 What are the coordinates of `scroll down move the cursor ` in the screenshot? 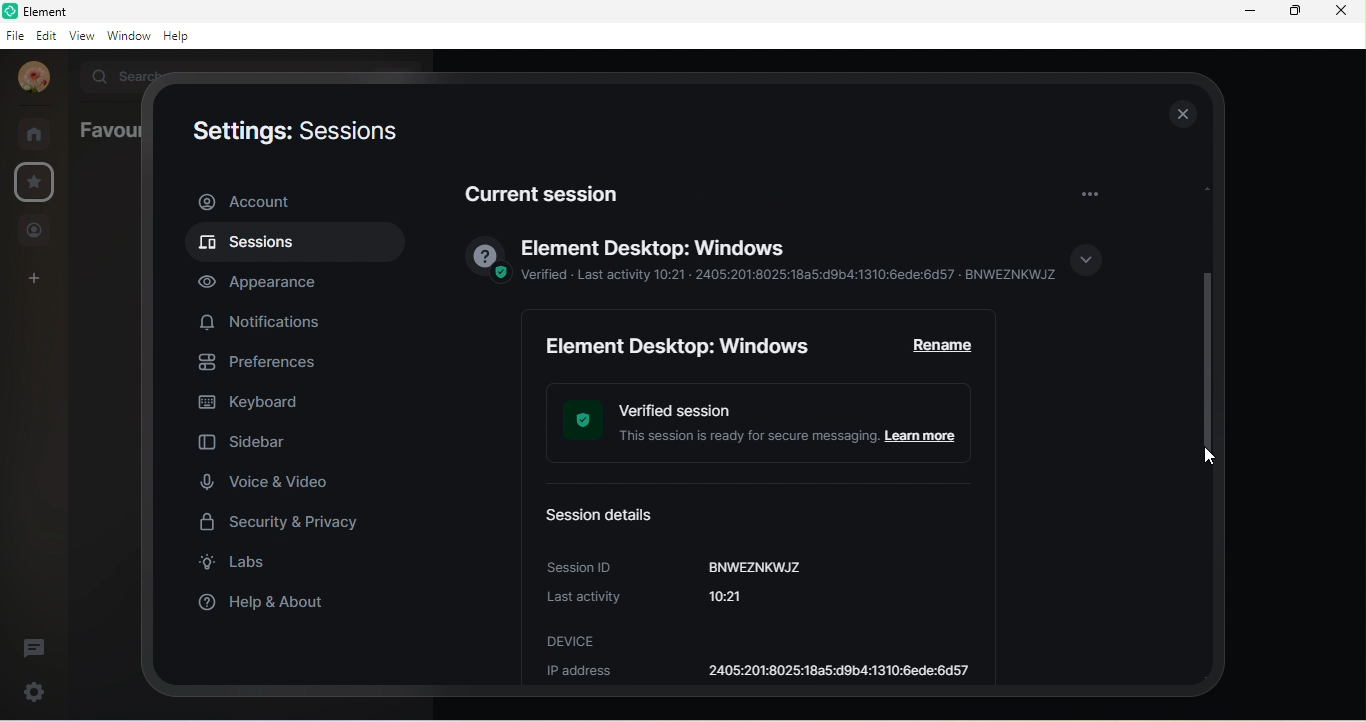 It's located at (1210, 457).